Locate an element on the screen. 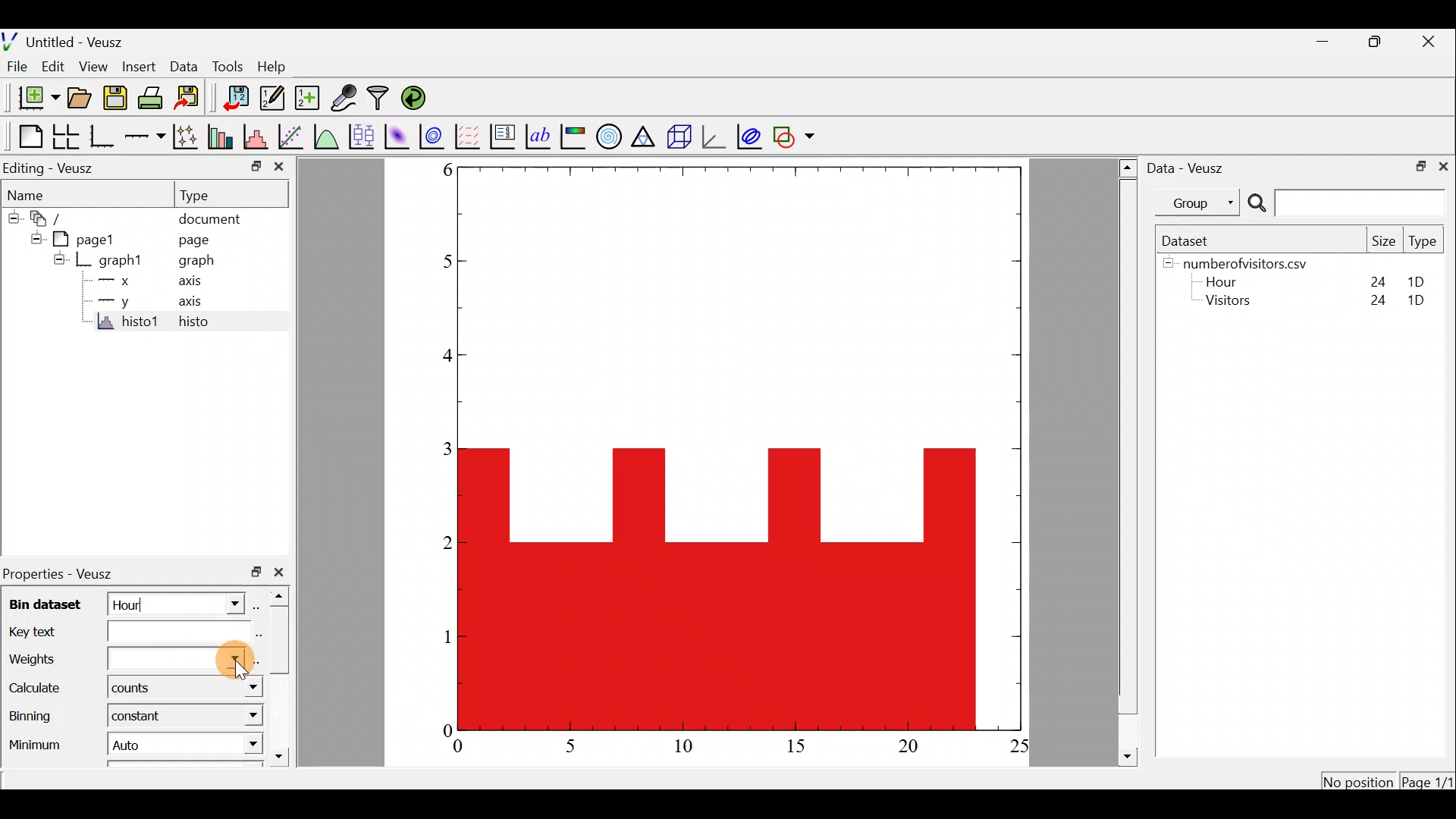  numberofvisitors.csv is located at coordinates (1254, 261).